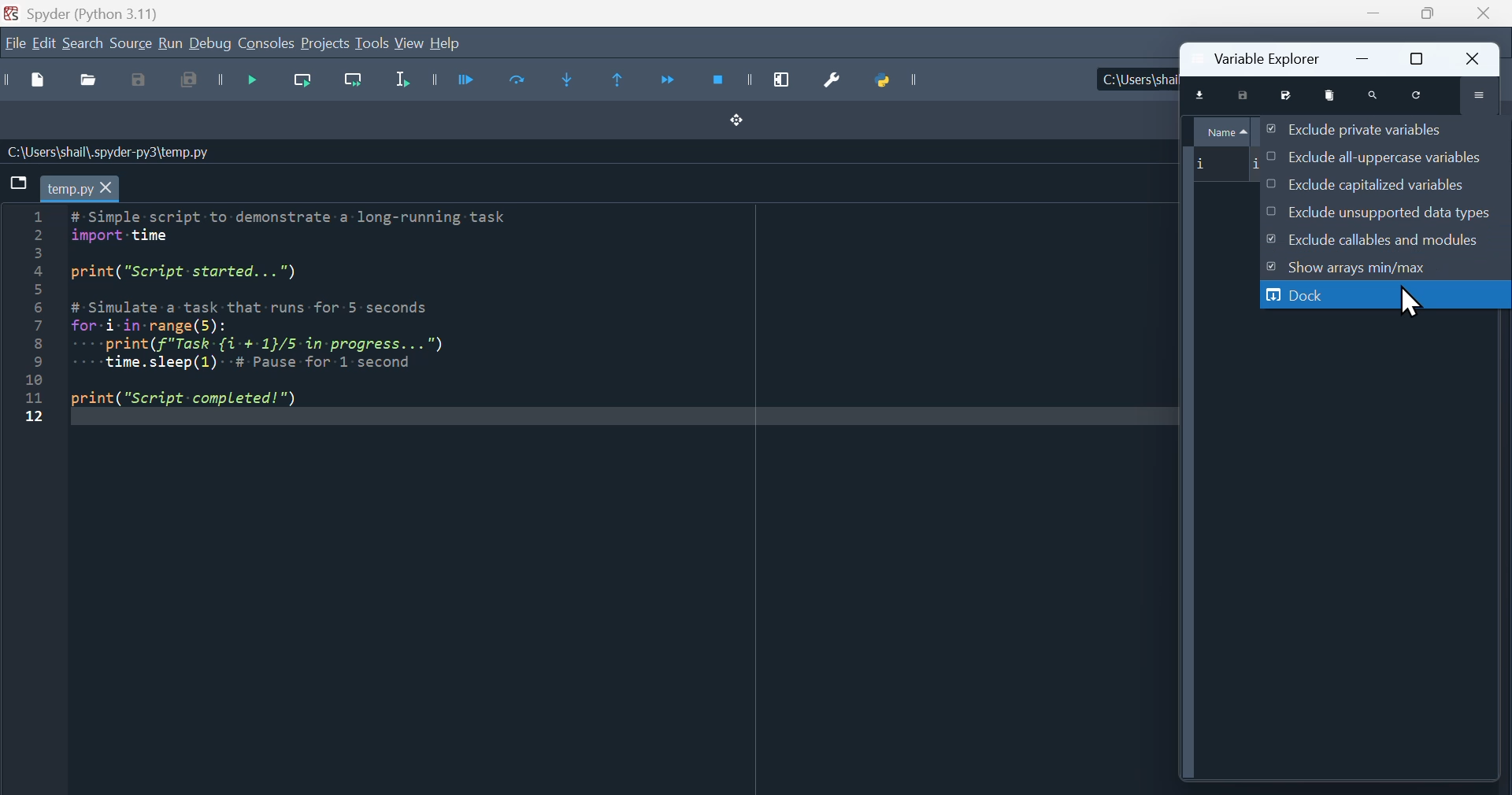 Image resolution: width=1512 pixels, height=795 pixels. Describe the element at coordinates (143, 81) in the screenshot. I see `save as` at that location.